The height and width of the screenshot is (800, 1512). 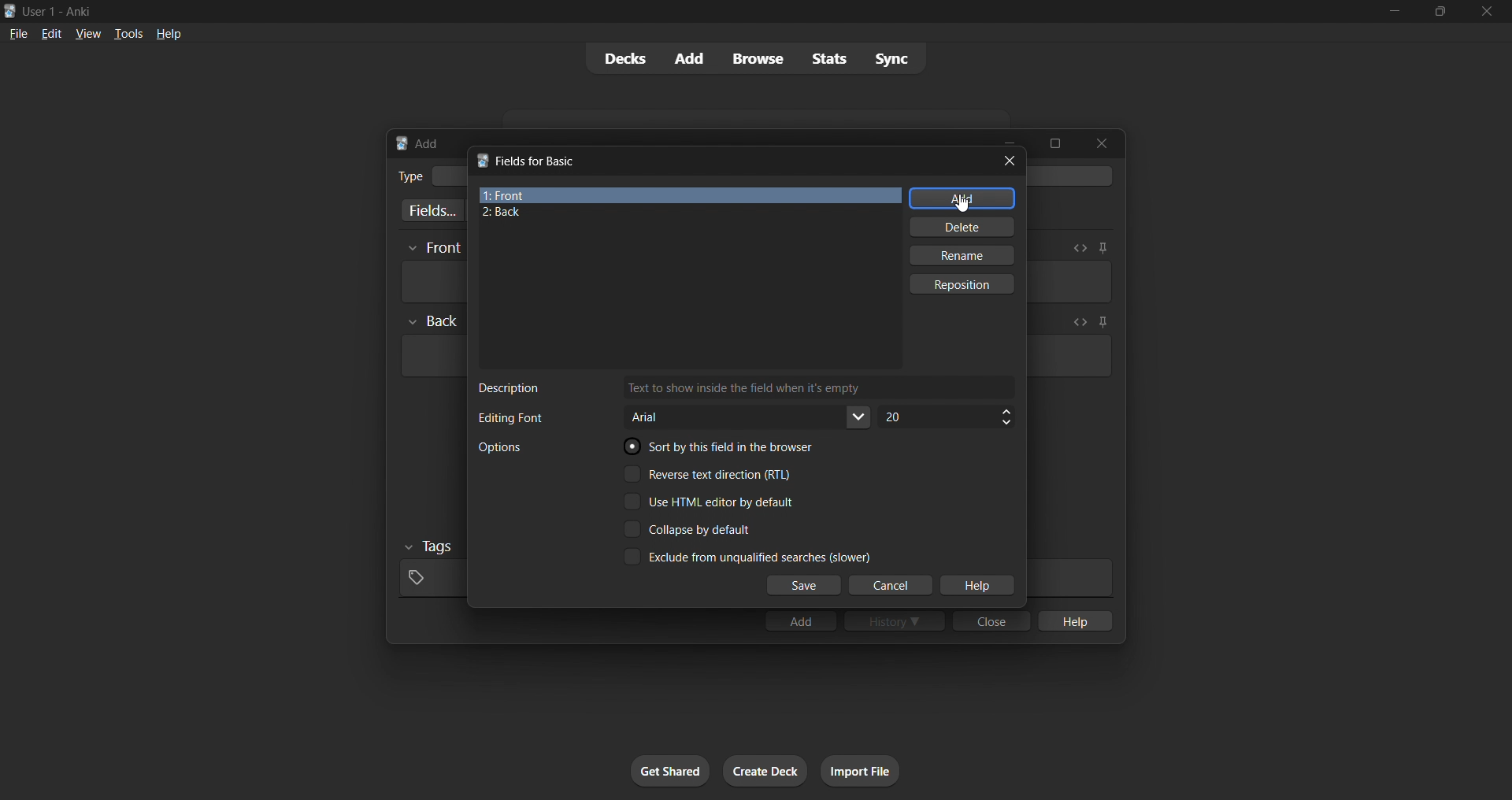 What do you see at coordinates (684, 213) in the screenshot?
I see `back field` at bounding box center [684, 213].